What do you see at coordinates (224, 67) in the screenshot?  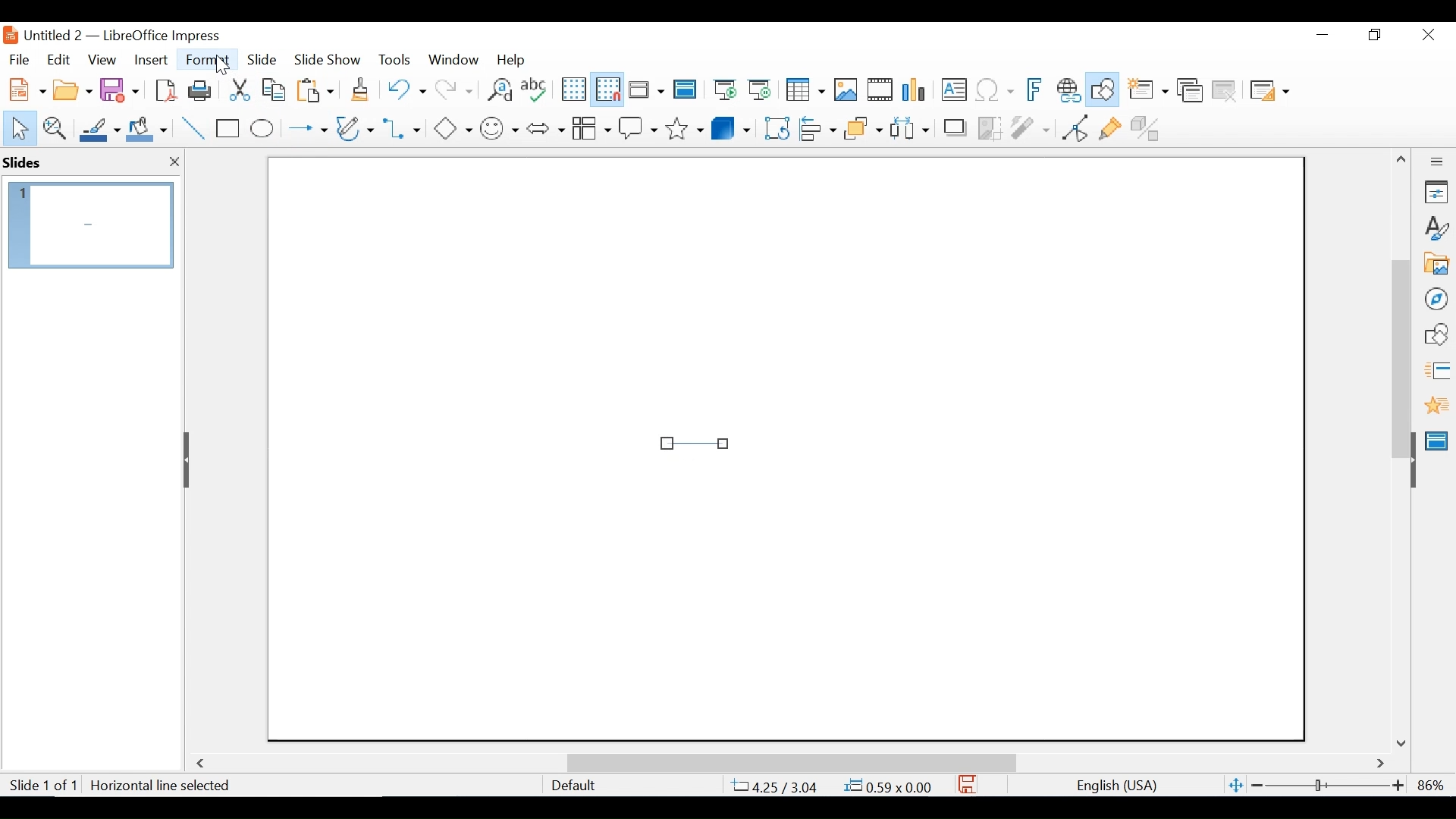 I see `Cursor` at bounding box center [224, 67].